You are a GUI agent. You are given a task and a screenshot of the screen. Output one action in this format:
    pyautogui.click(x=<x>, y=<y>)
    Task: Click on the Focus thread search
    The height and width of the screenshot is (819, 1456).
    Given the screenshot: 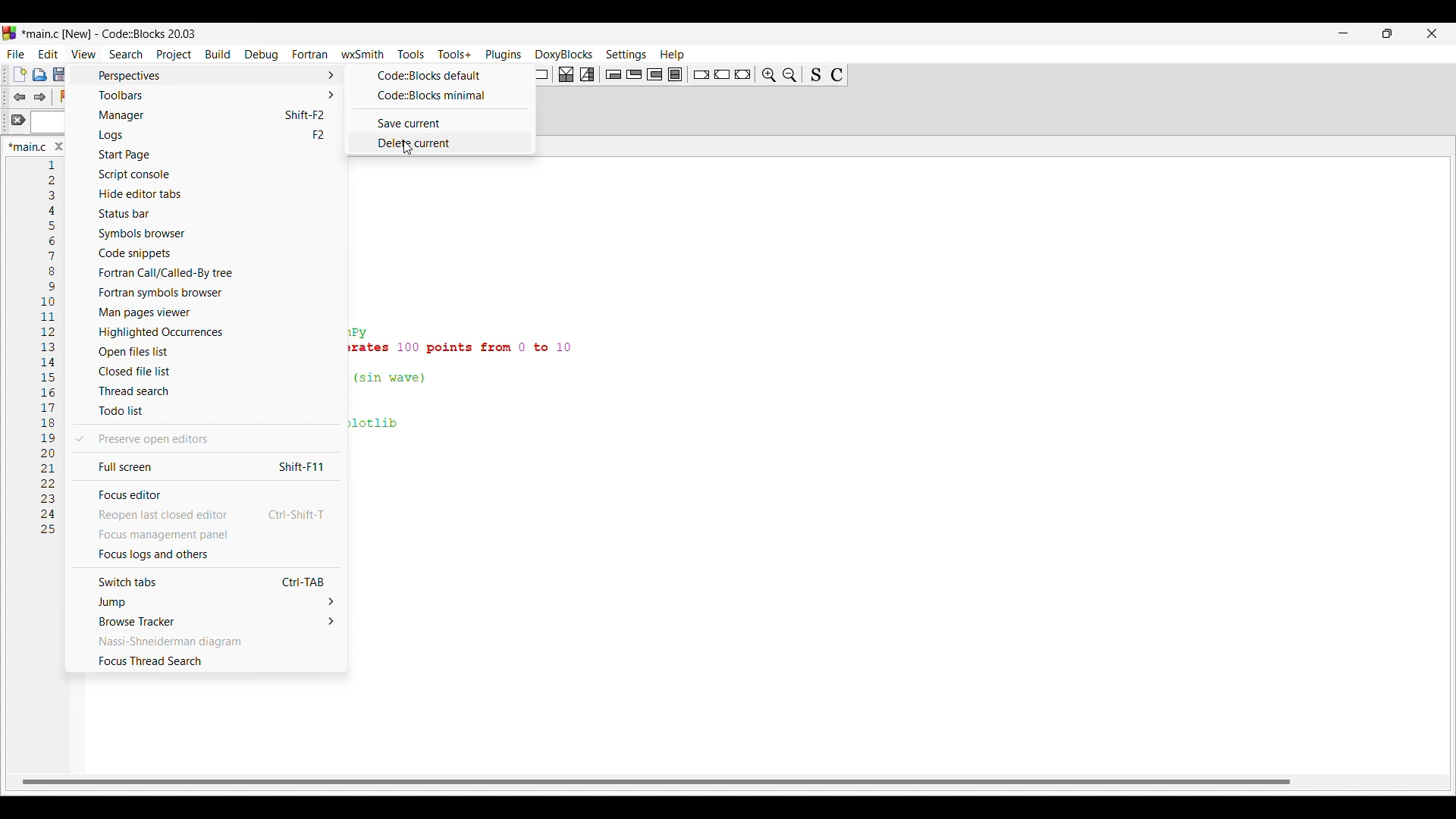 What is the action you would take?
    pyautogui.click(x=205, y=661)
    